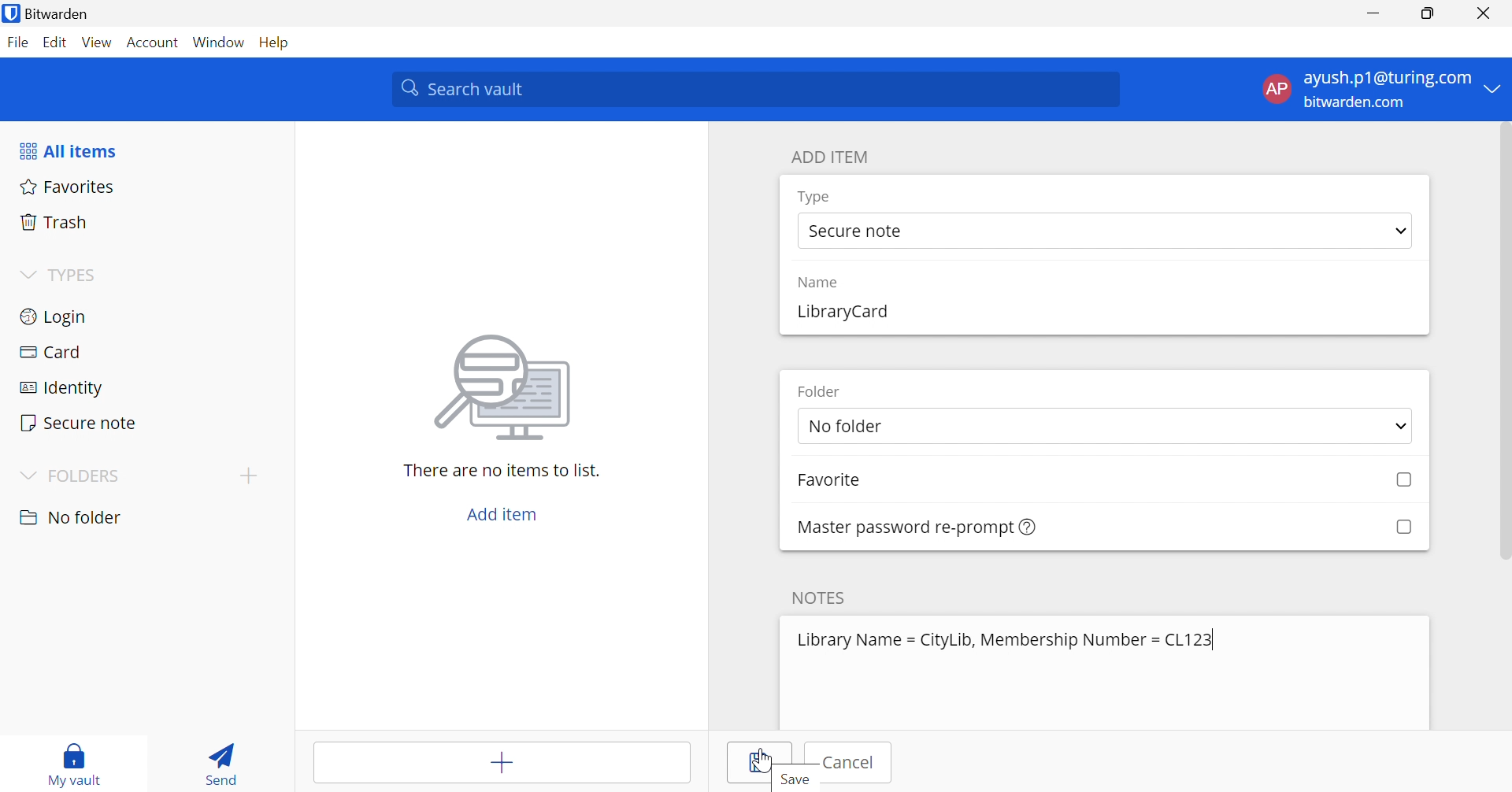  I want to click on select type, so click(1105, 231).